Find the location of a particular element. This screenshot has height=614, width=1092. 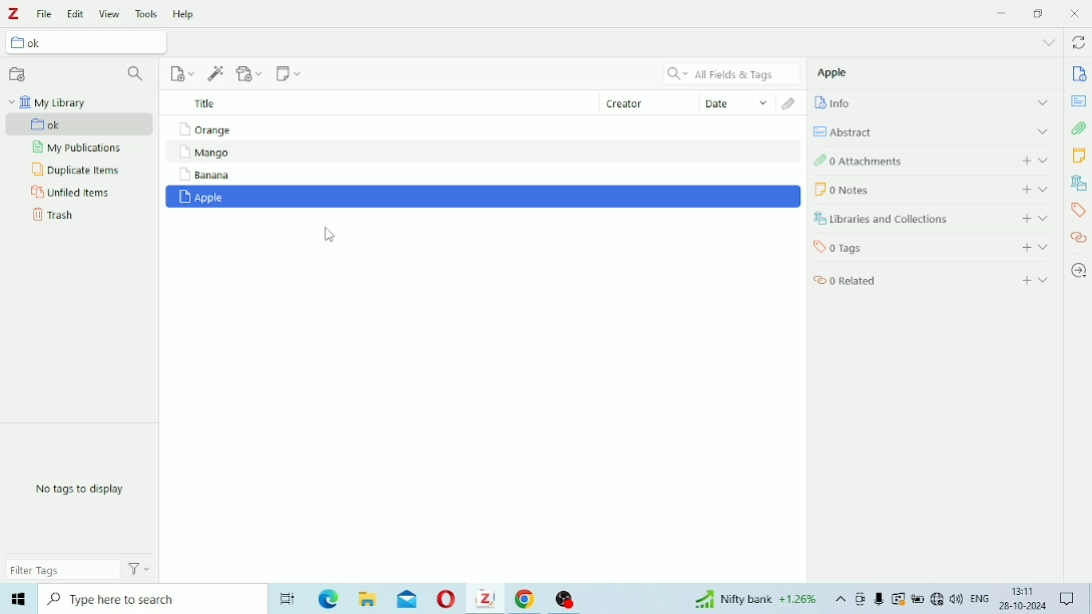

Notes is located at coordinates (893, 188).